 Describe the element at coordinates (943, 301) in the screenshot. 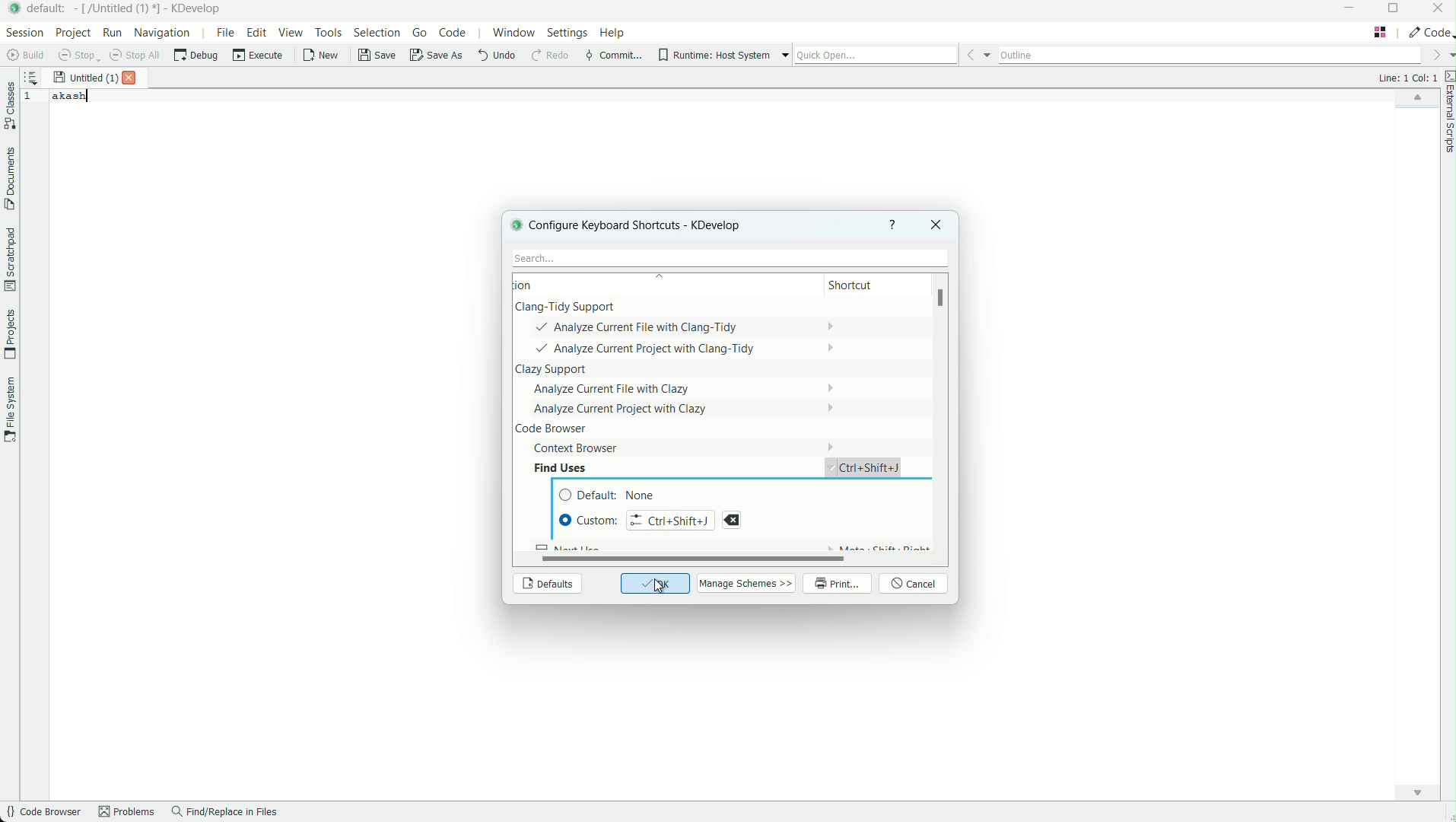

I see `scroll bar` at that location.